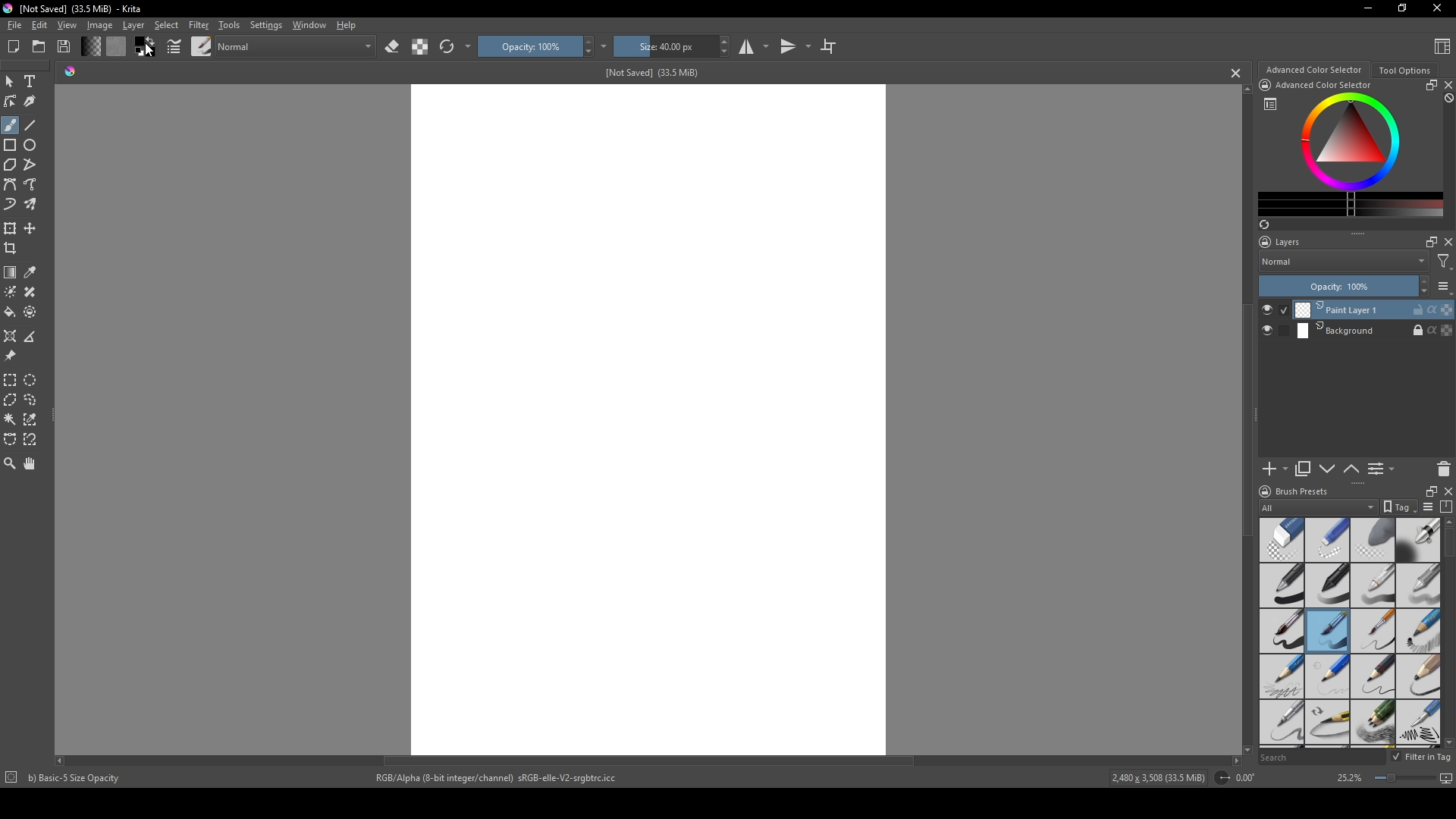 This screenshot has width=1456, height=819. I want to click on Close, so click(1438, 8).